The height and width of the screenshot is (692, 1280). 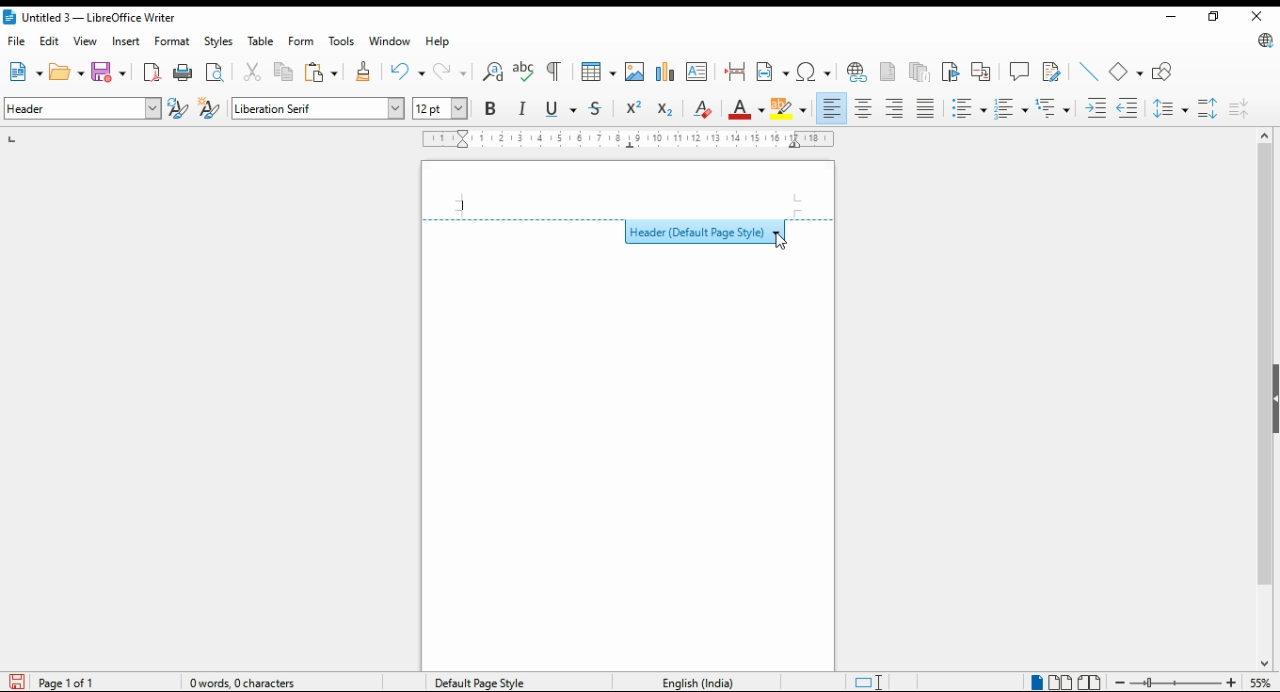 What do you see at coordinates (409, 72) in the screenshot?
I see `undo` at bounding box center [409, 72].